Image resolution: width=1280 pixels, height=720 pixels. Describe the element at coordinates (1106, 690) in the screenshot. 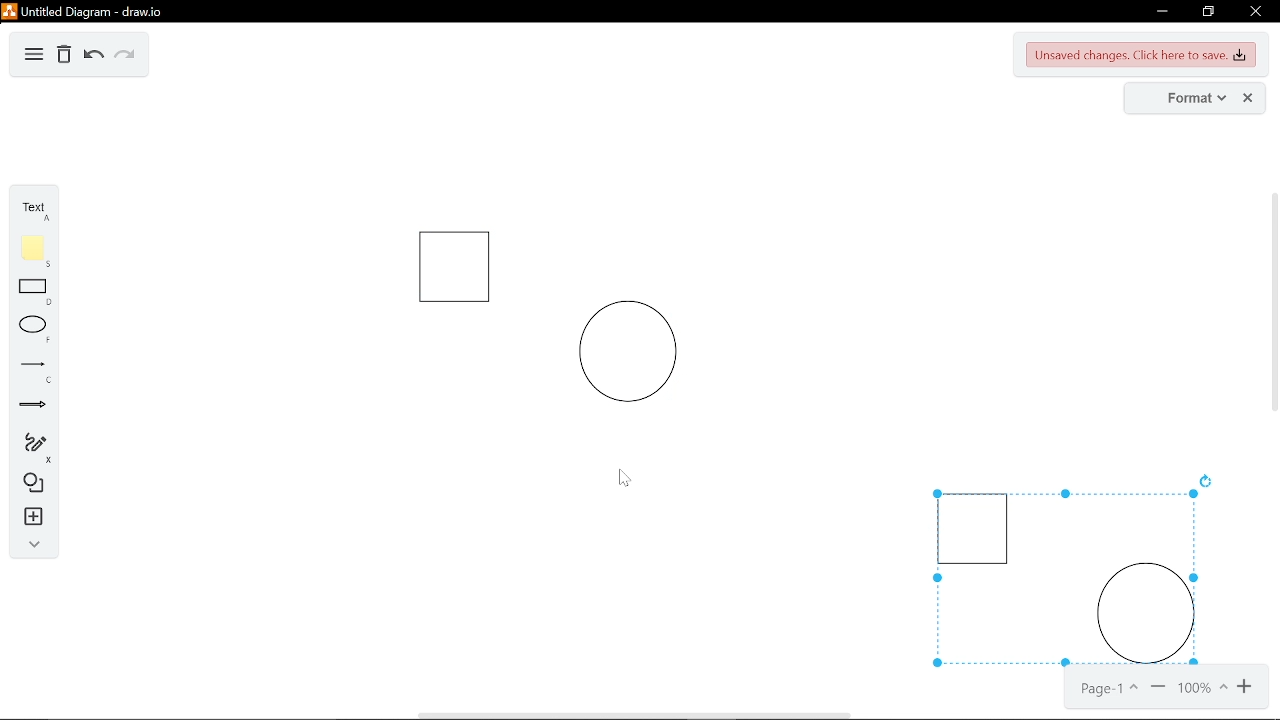

I see `current page` at that location.